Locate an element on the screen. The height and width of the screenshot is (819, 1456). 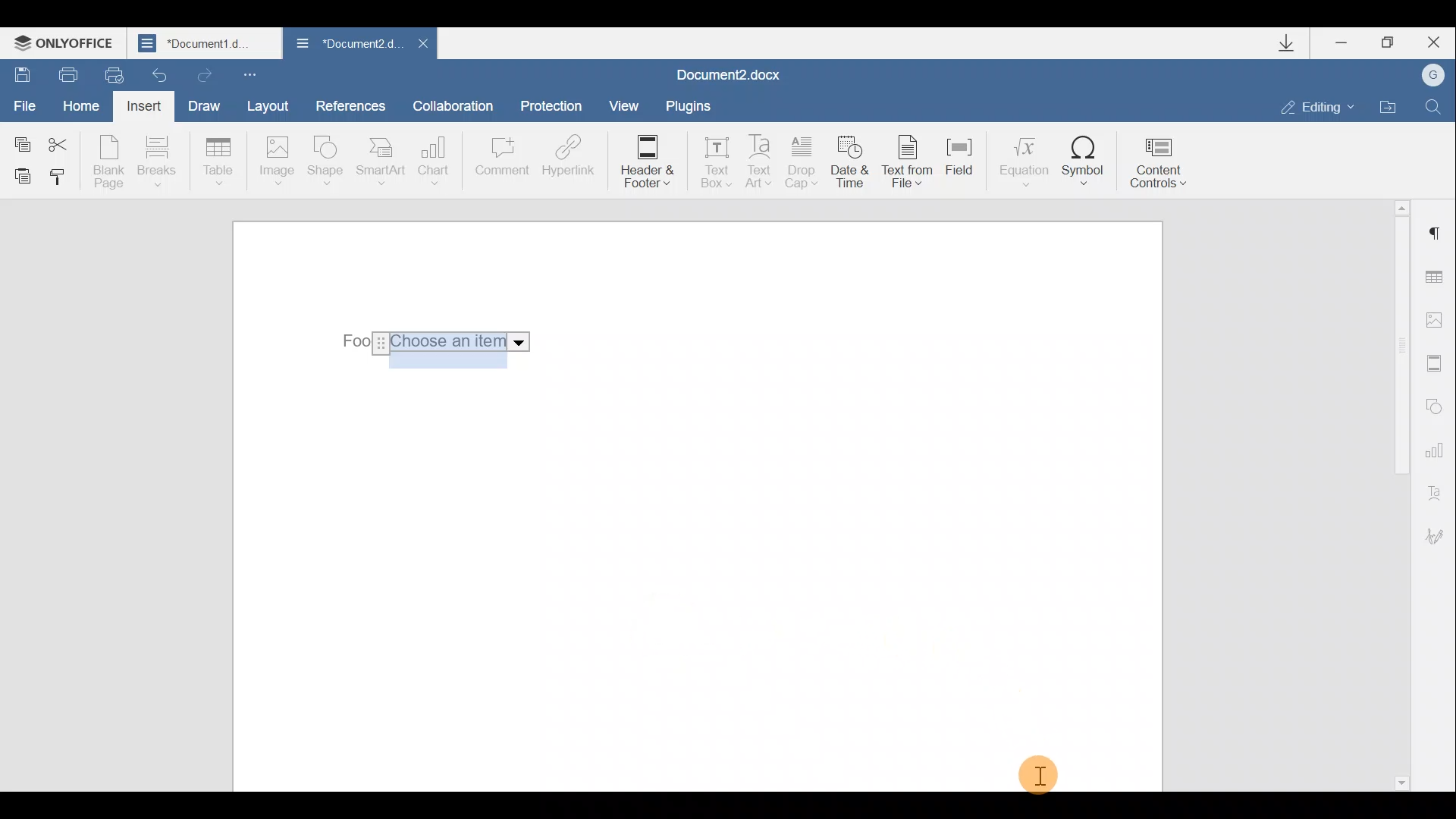
Redo is located at coordinates (202, 72).